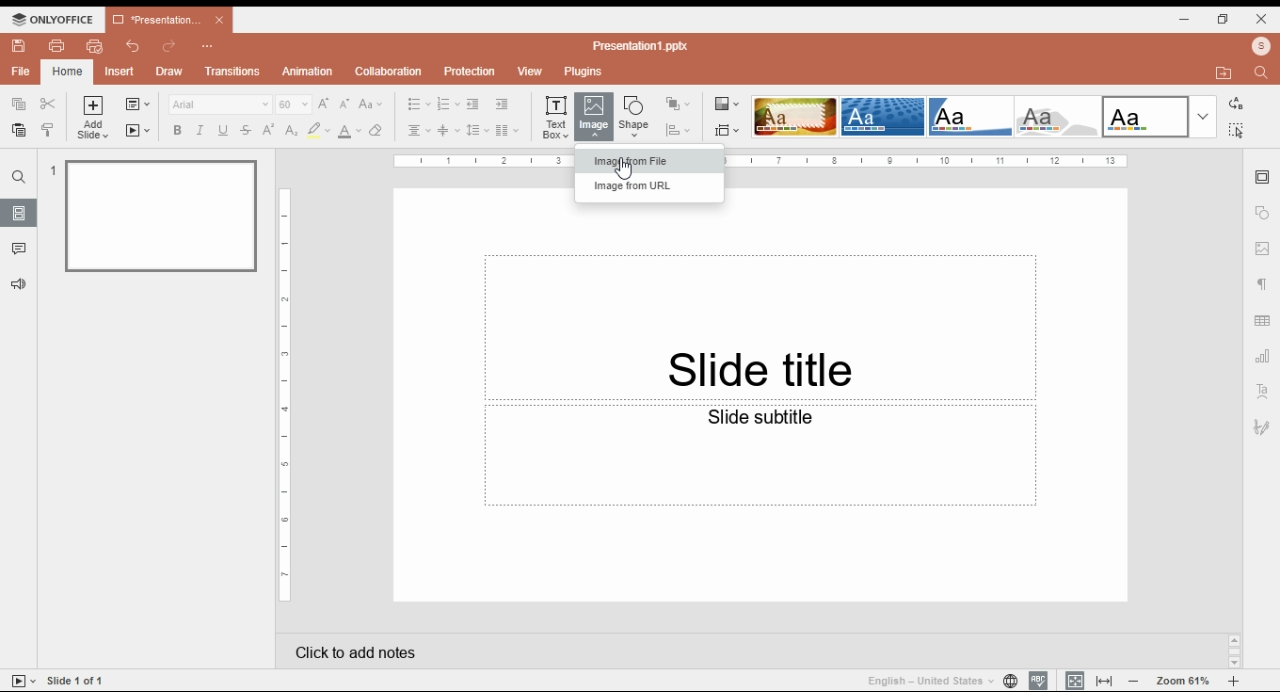 This screenshot has width=1280, height=692. What do you see at coordinates (94, 45) in the screenshot?
I see `quick print` at bounding box center [94, 45].